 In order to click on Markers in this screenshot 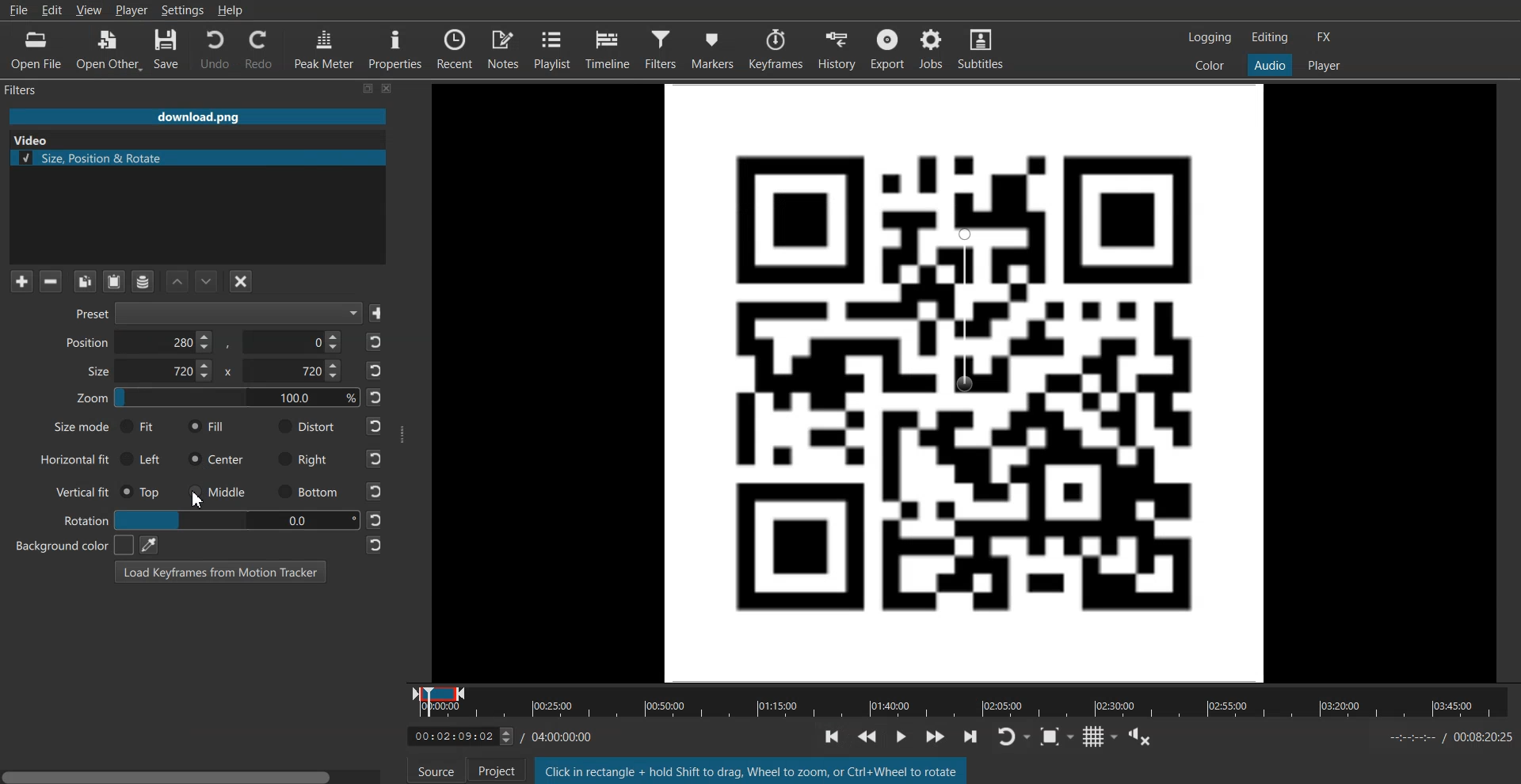, I will do `click(714, 48)`.